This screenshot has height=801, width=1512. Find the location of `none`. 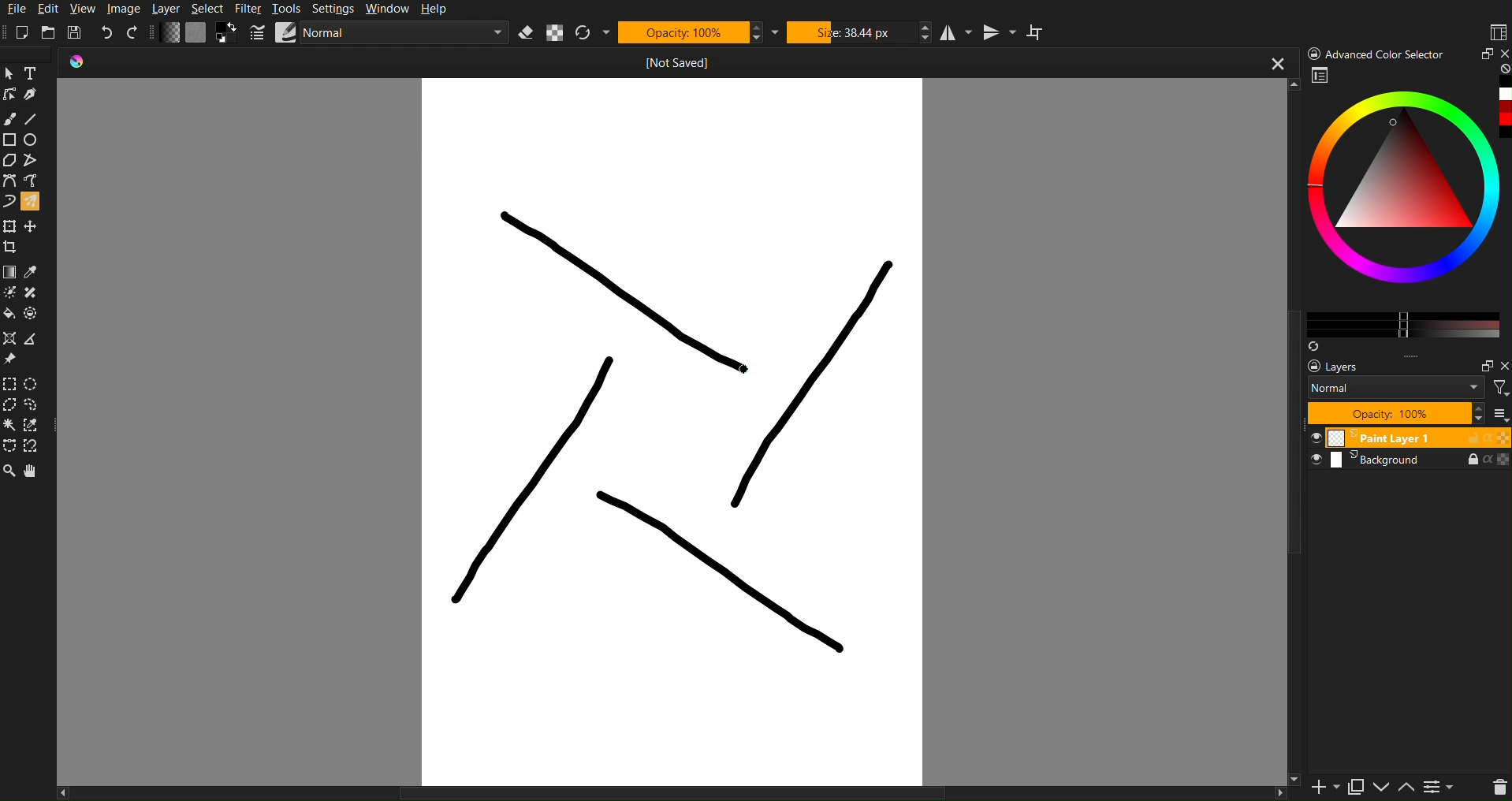

none is located at coordinates (1503, 69).